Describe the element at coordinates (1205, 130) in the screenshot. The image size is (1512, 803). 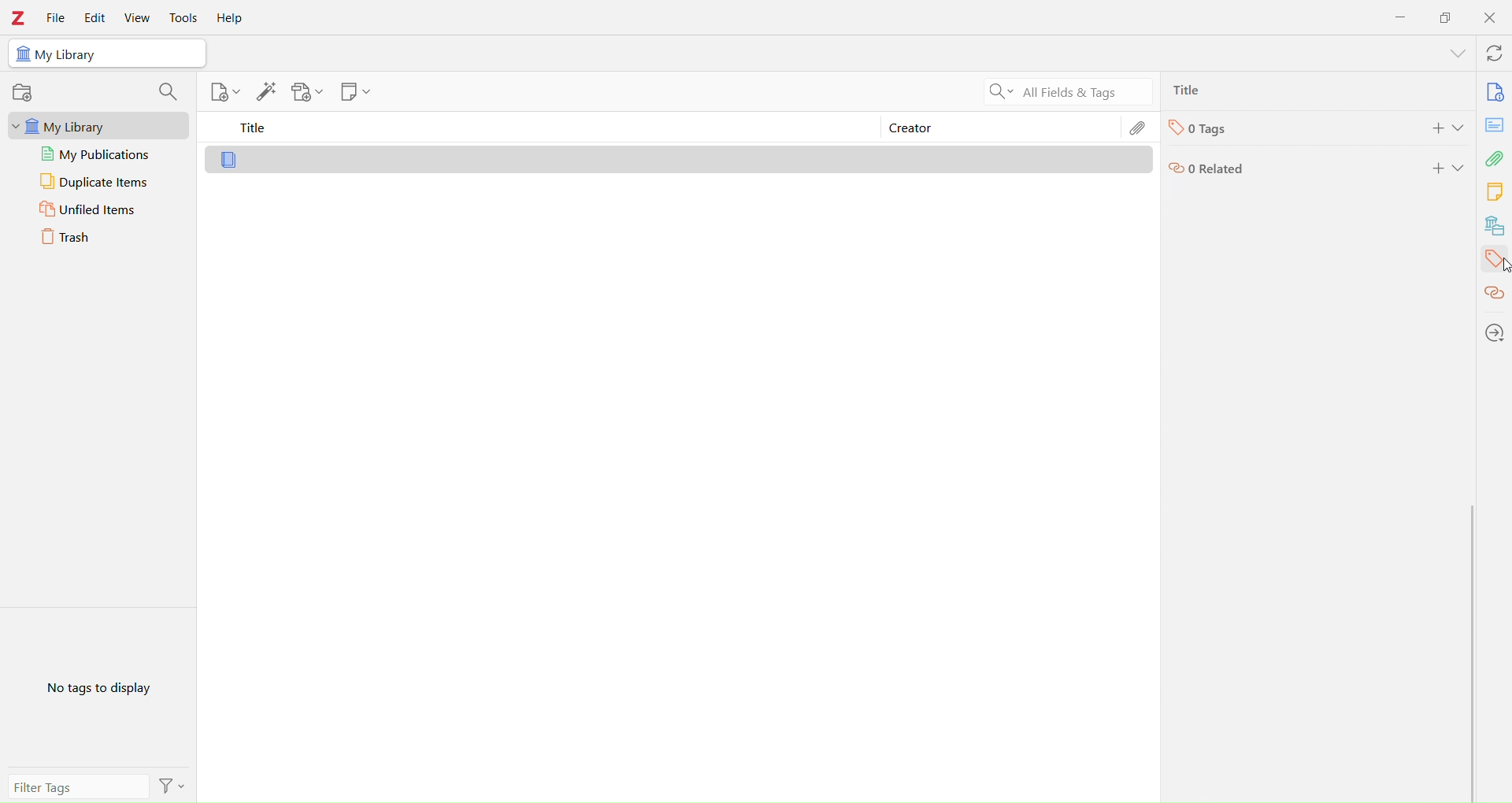
I see `Tags` at that location.